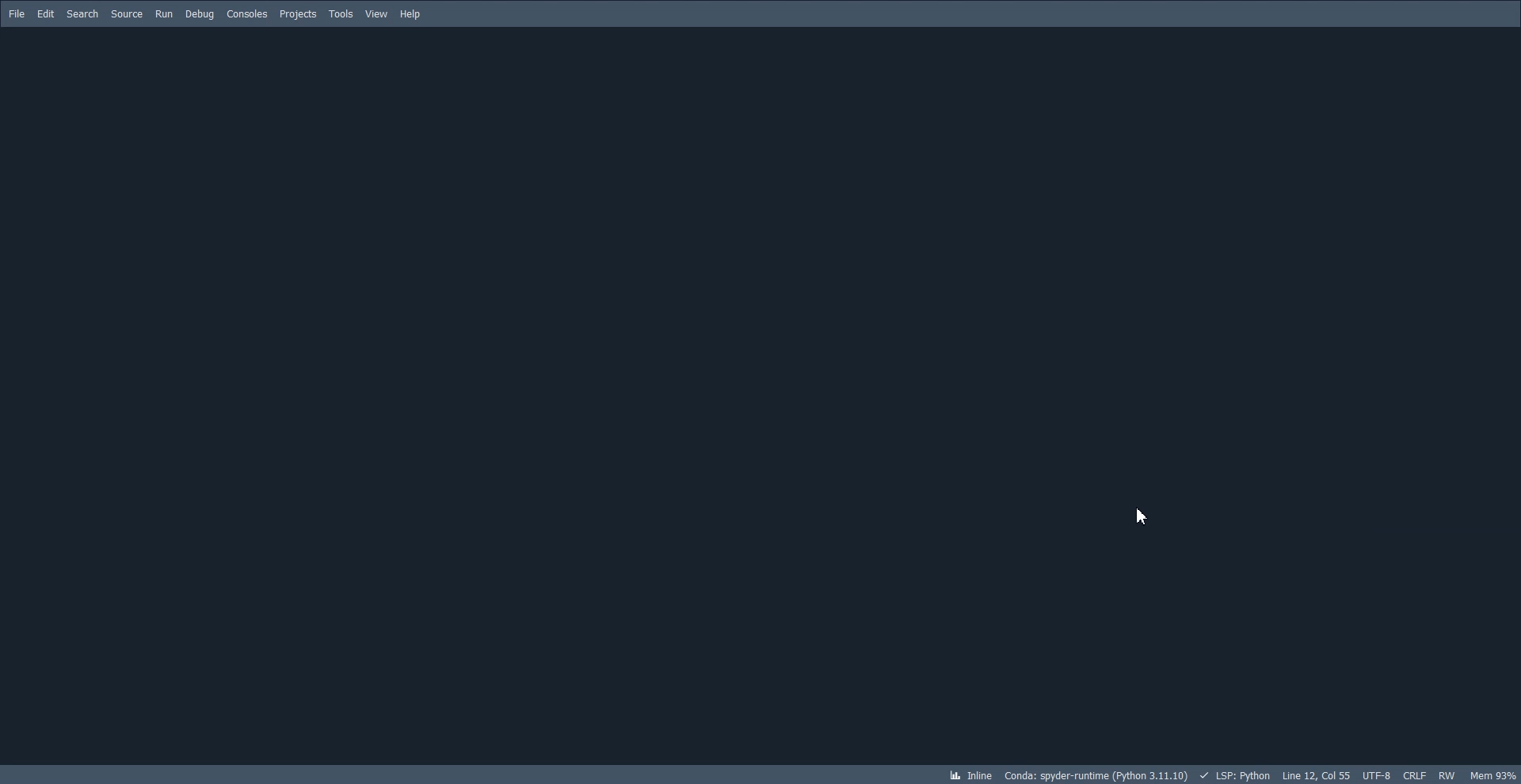 This screenshot has width=1521, height=784. What do you see at coordinates (341, 13) in the screenshot?
I see `Tools` at bounding box center [341, 13].